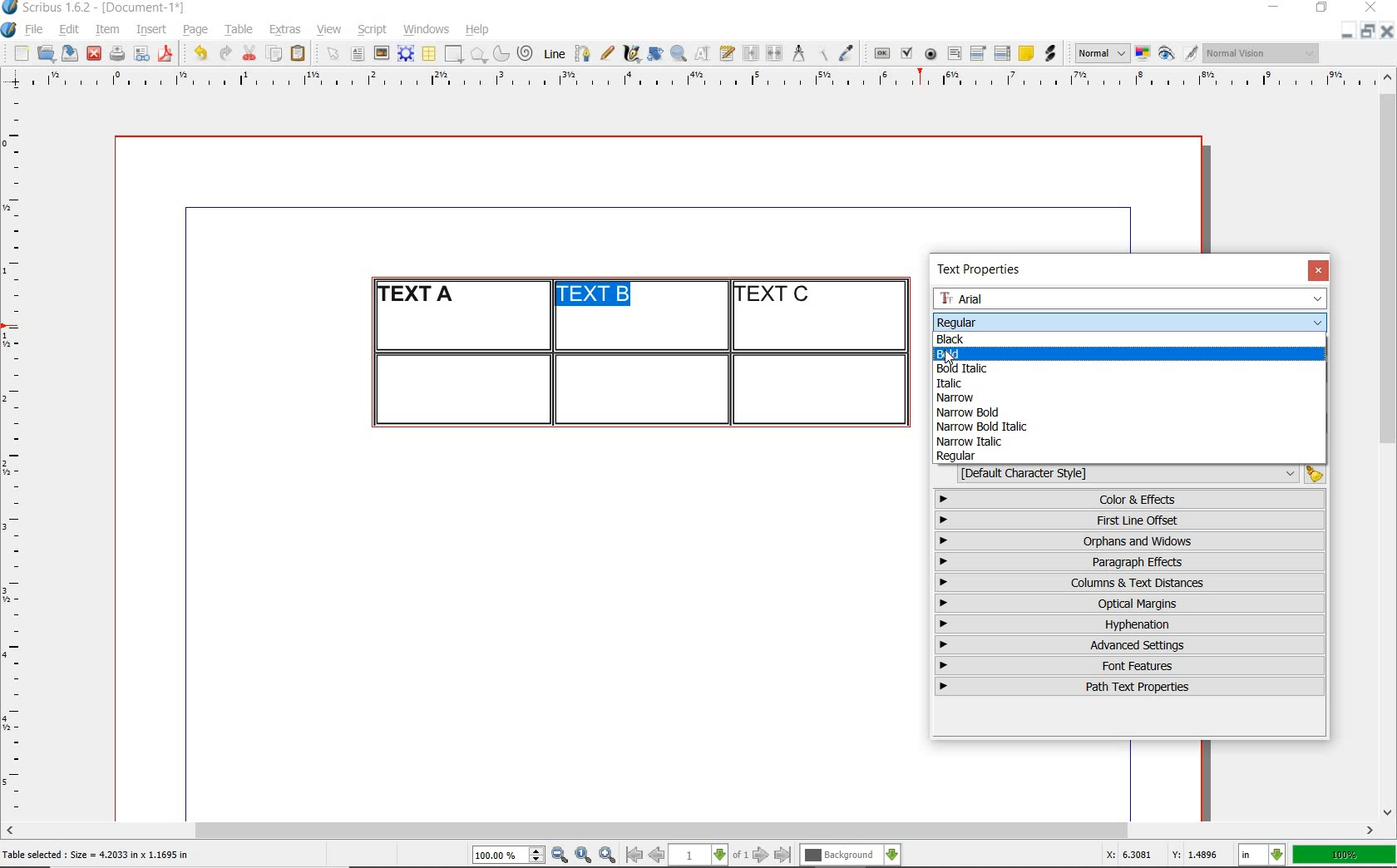 The width and height of the screenshot is (1397, 868). I want to click on help, so click(476, 31).